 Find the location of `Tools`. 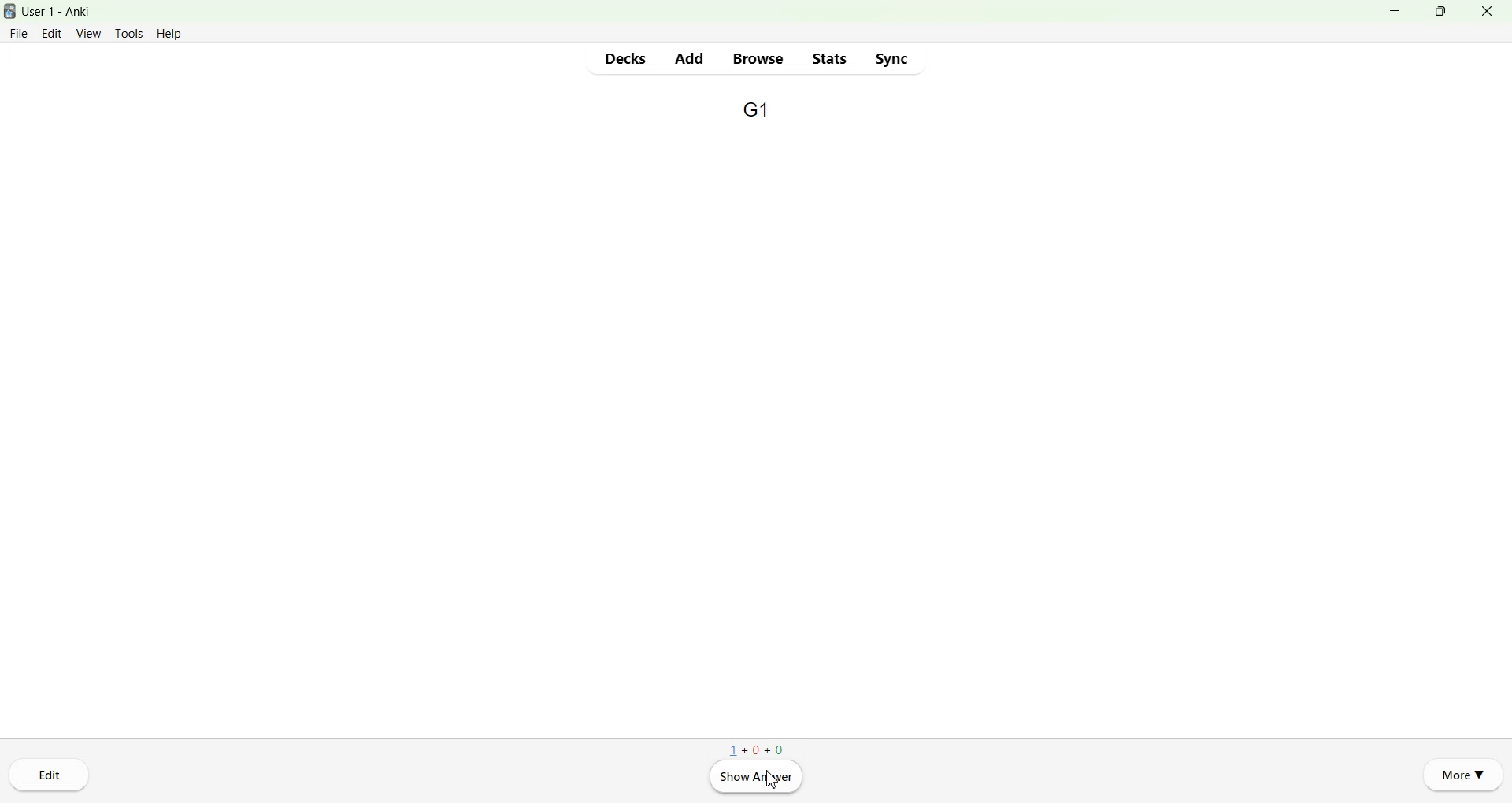

Tools is located at coordinates (128, 34).